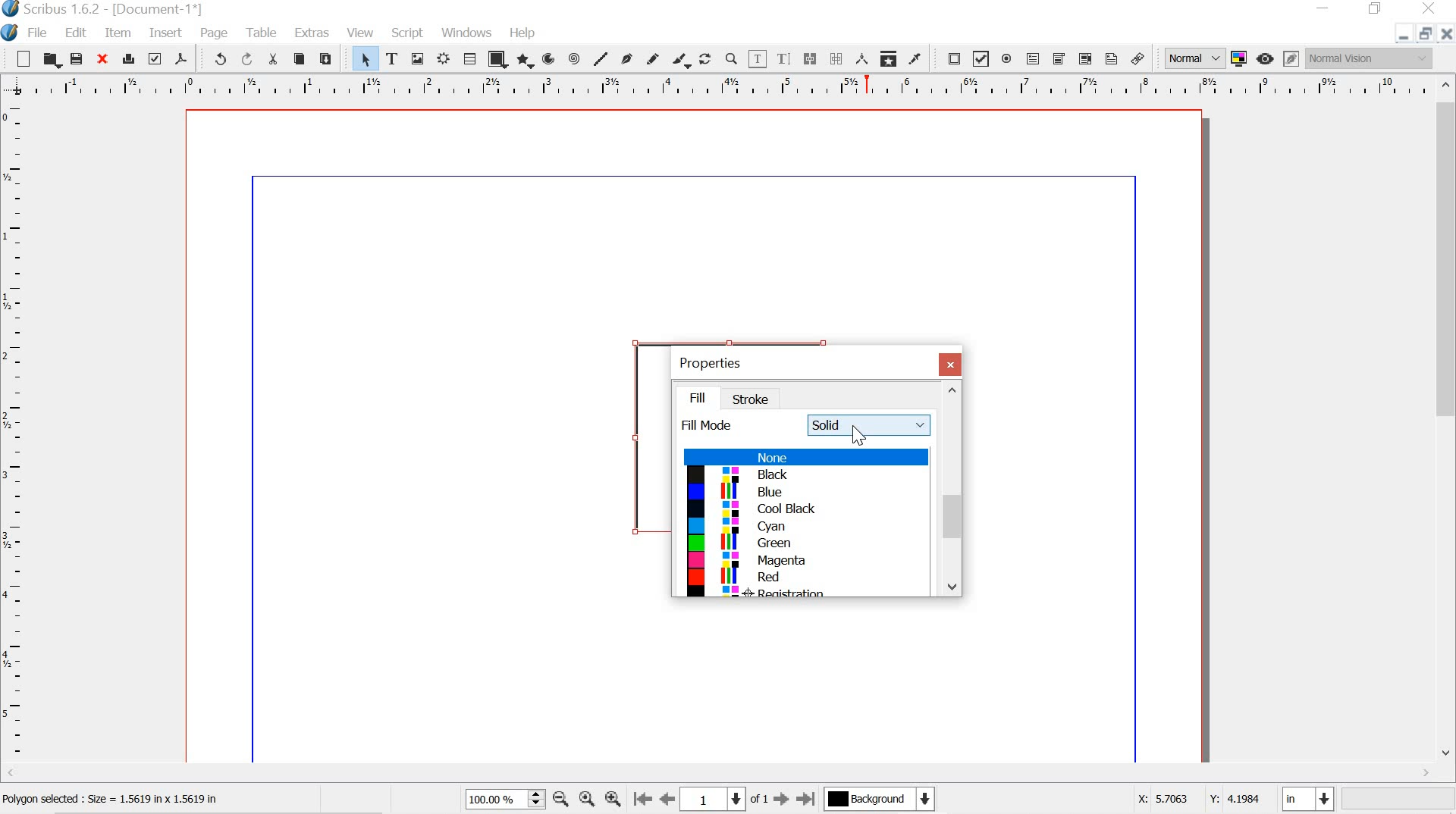  I want to click on go to last page, so click(806, 800).